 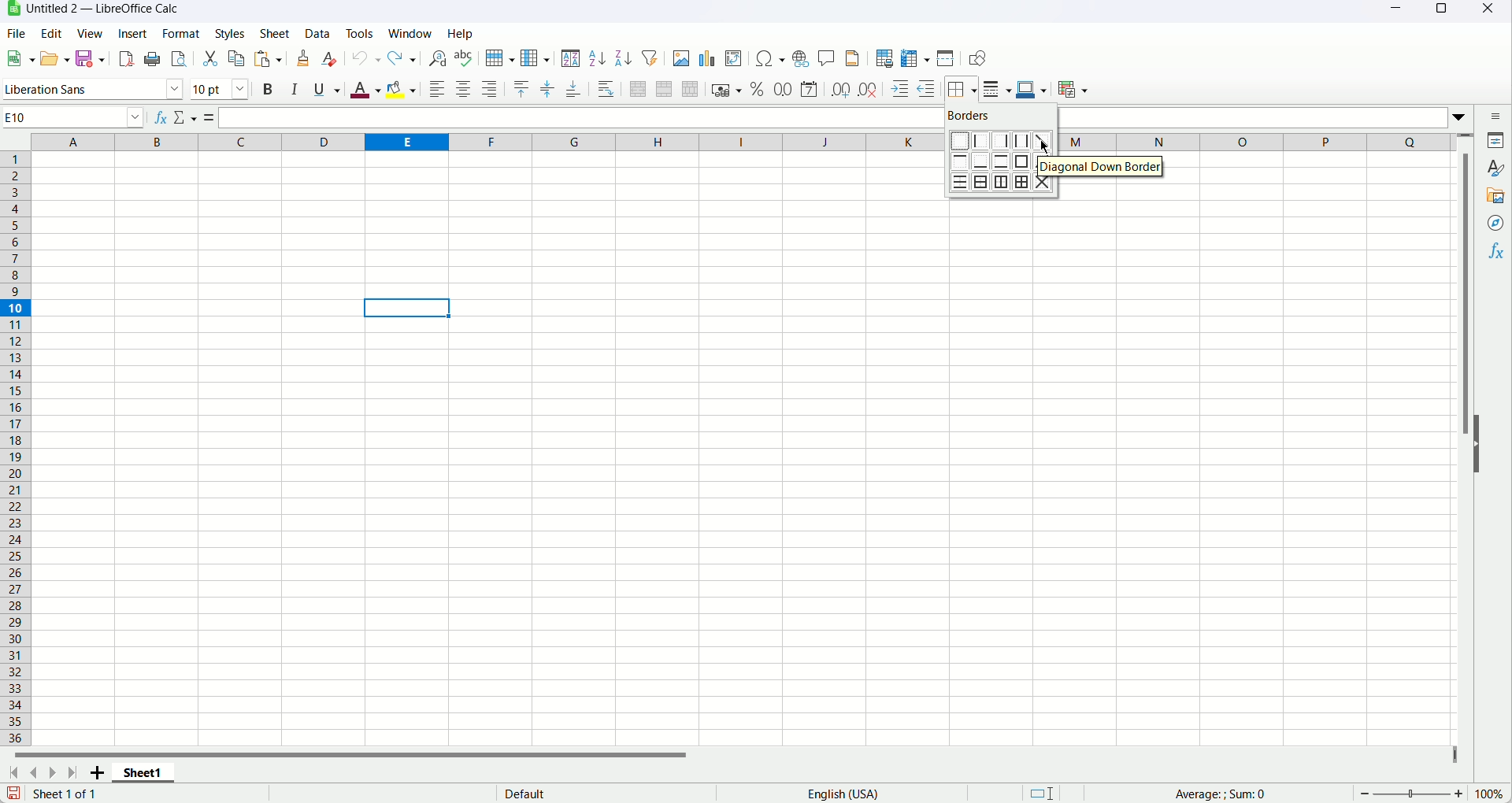 What do you see at coordinates (13, 794) in the screenshot?
I see `Save` at bounding box center [13, 794].